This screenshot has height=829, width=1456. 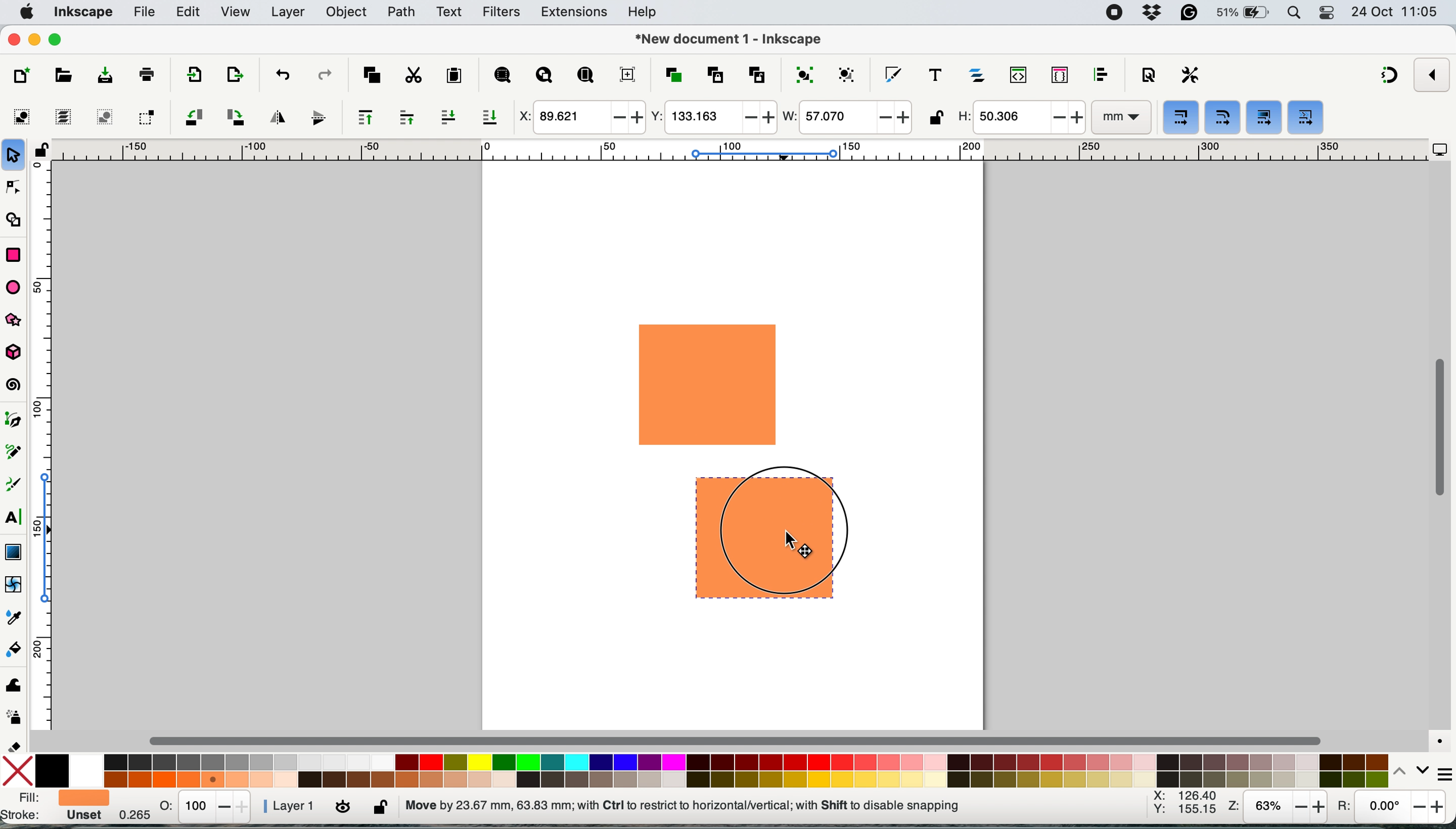 What do you see at coordinates (448, 117) in the screenshot?
I see `lower selection one step` at bounding box center [448, 117].